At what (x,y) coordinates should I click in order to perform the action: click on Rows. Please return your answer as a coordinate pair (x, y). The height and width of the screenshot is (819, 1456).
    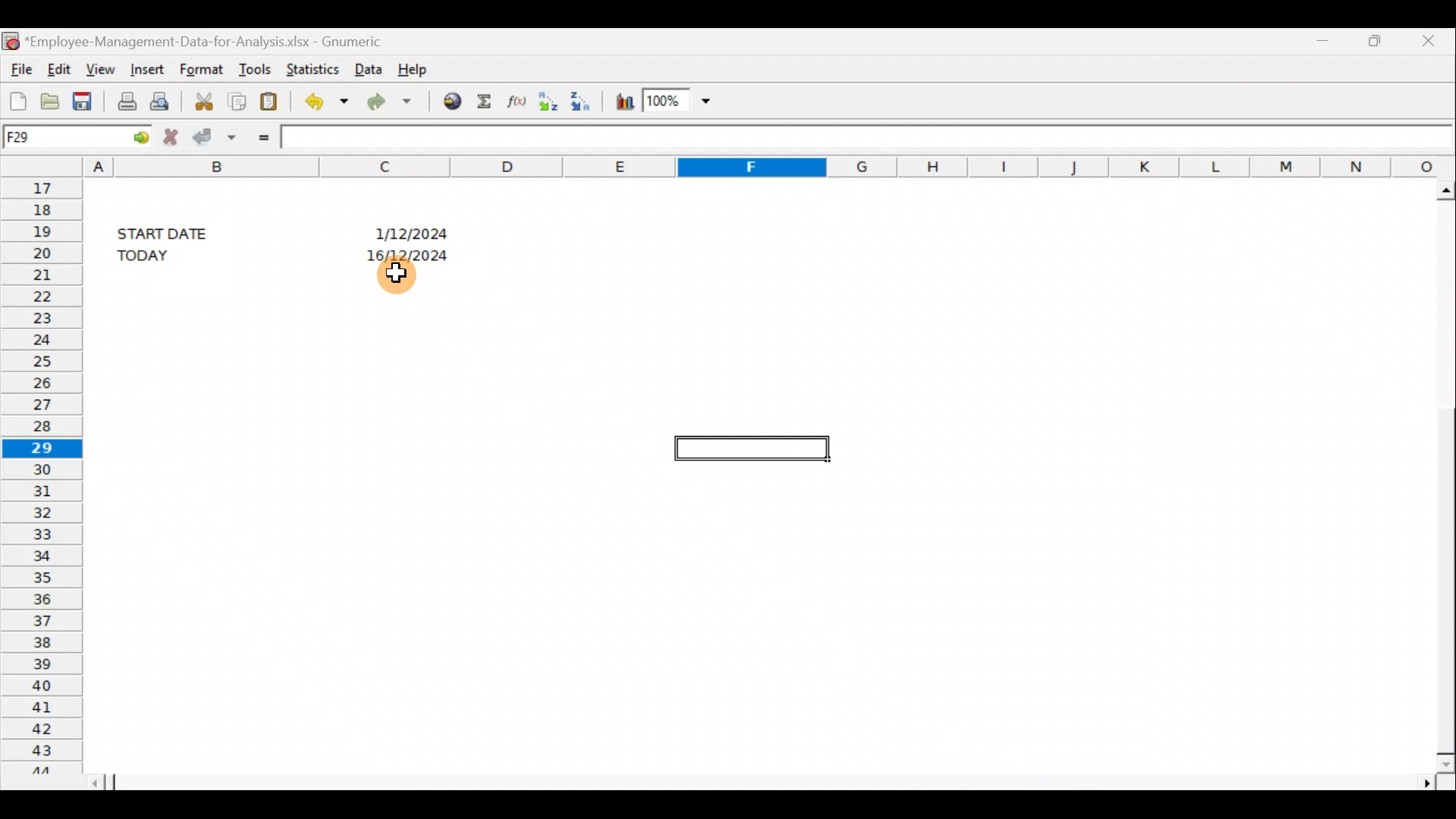
    Looking at the image, I should click on (39, 474).